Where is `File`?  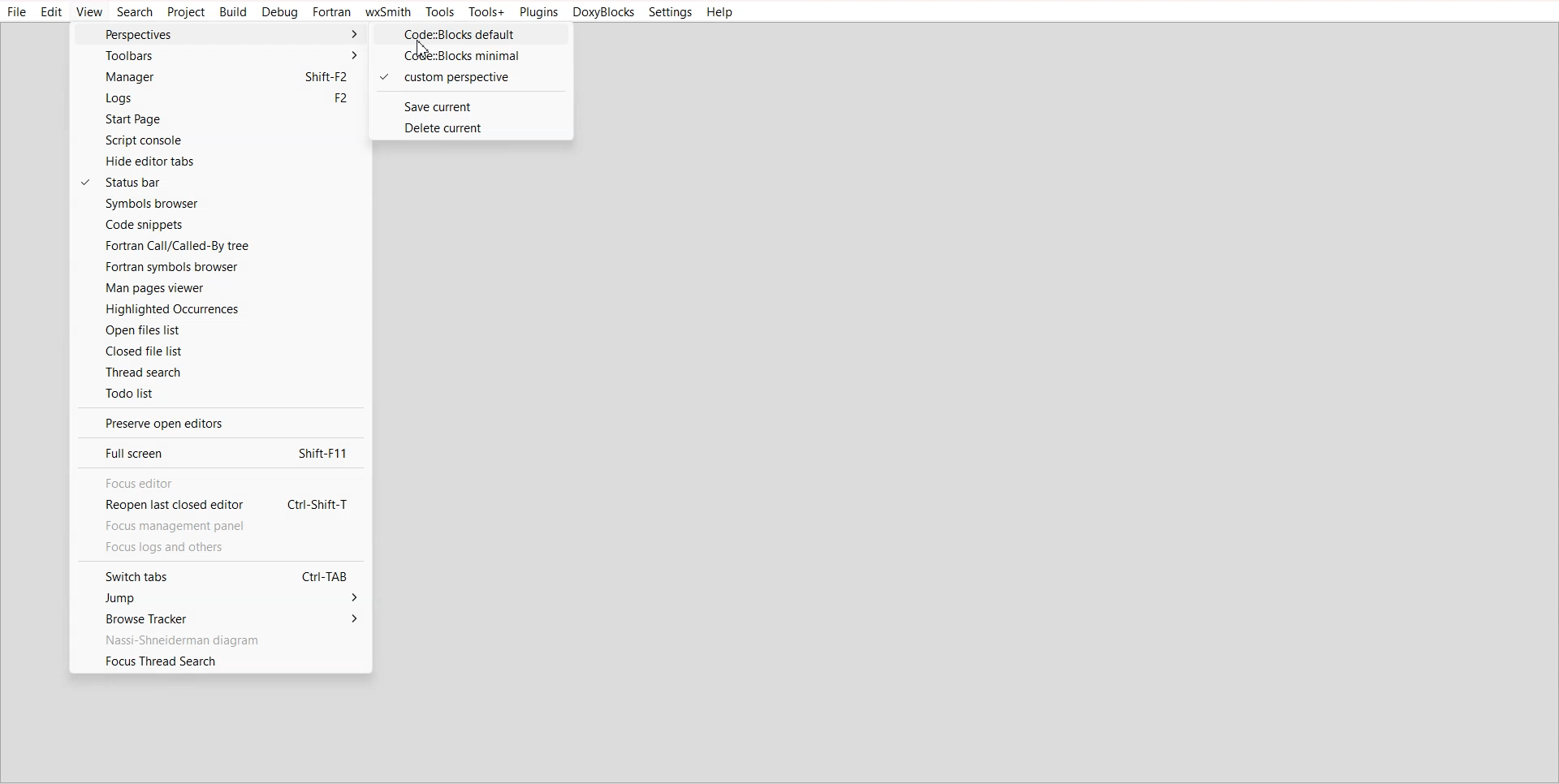
File is located at coordinates (18, 12).